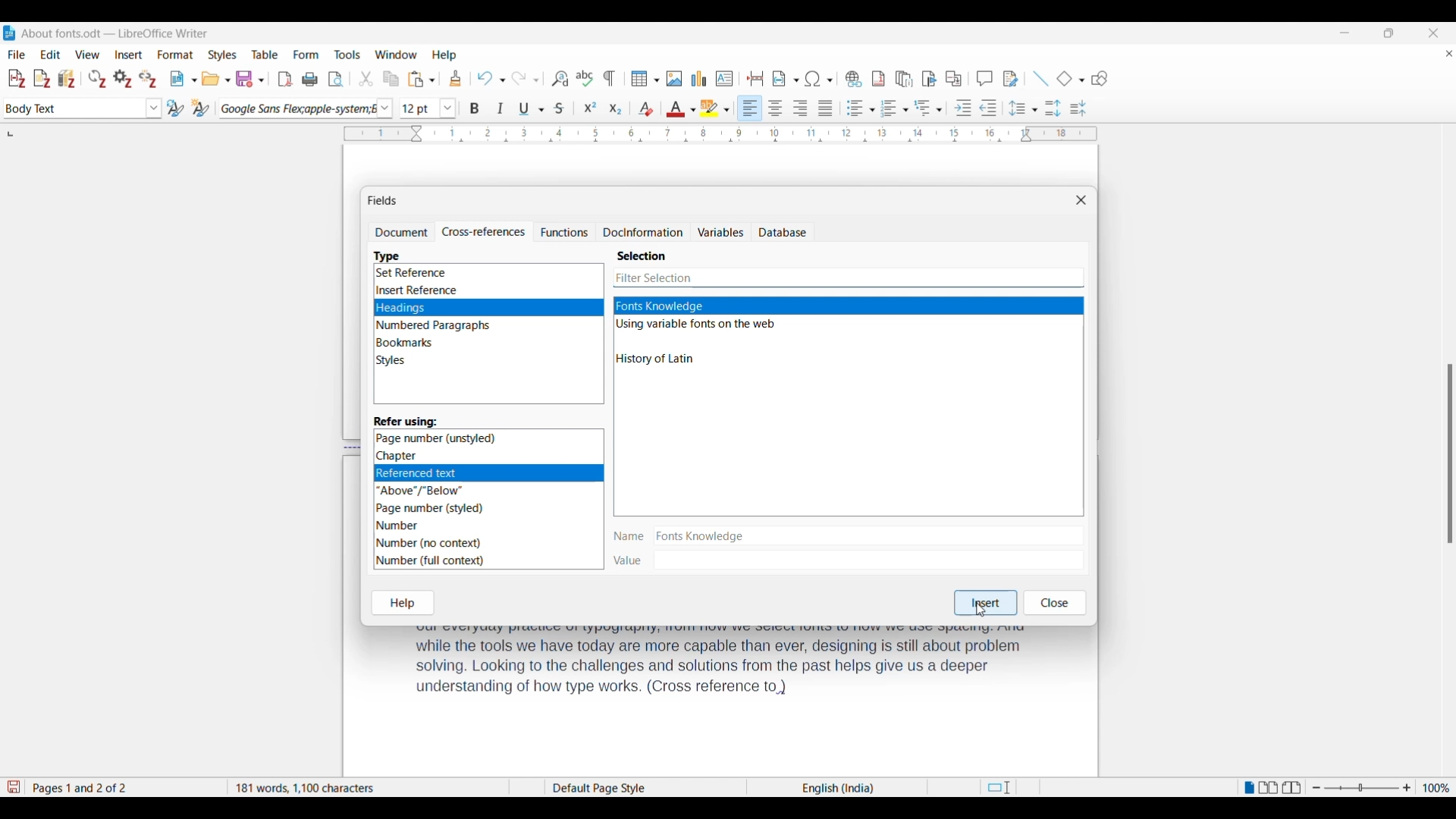  What do you see at coordinates (87, 55) in the screenshot?
I see `View menu` at bounding box center [87, 55].